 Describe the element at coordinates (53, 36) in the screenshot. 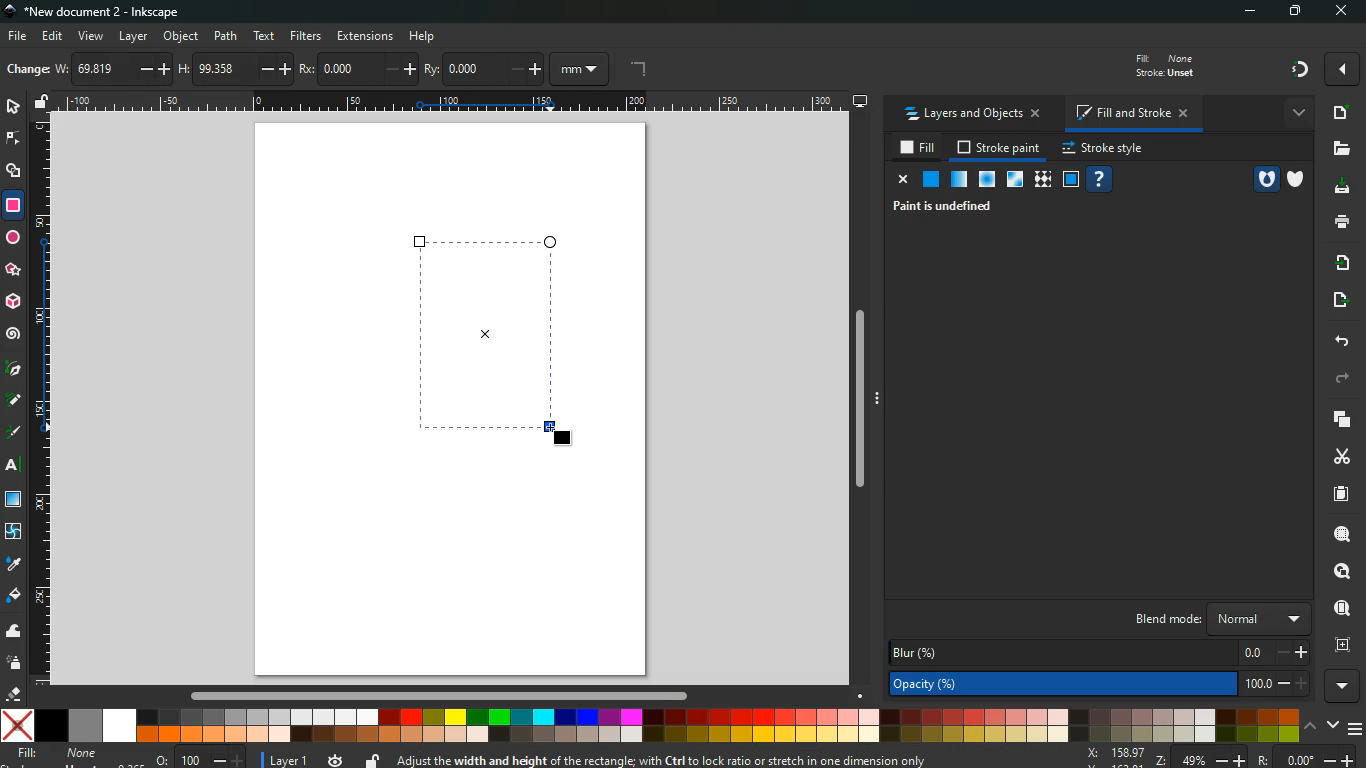

I see `edit` at that location.